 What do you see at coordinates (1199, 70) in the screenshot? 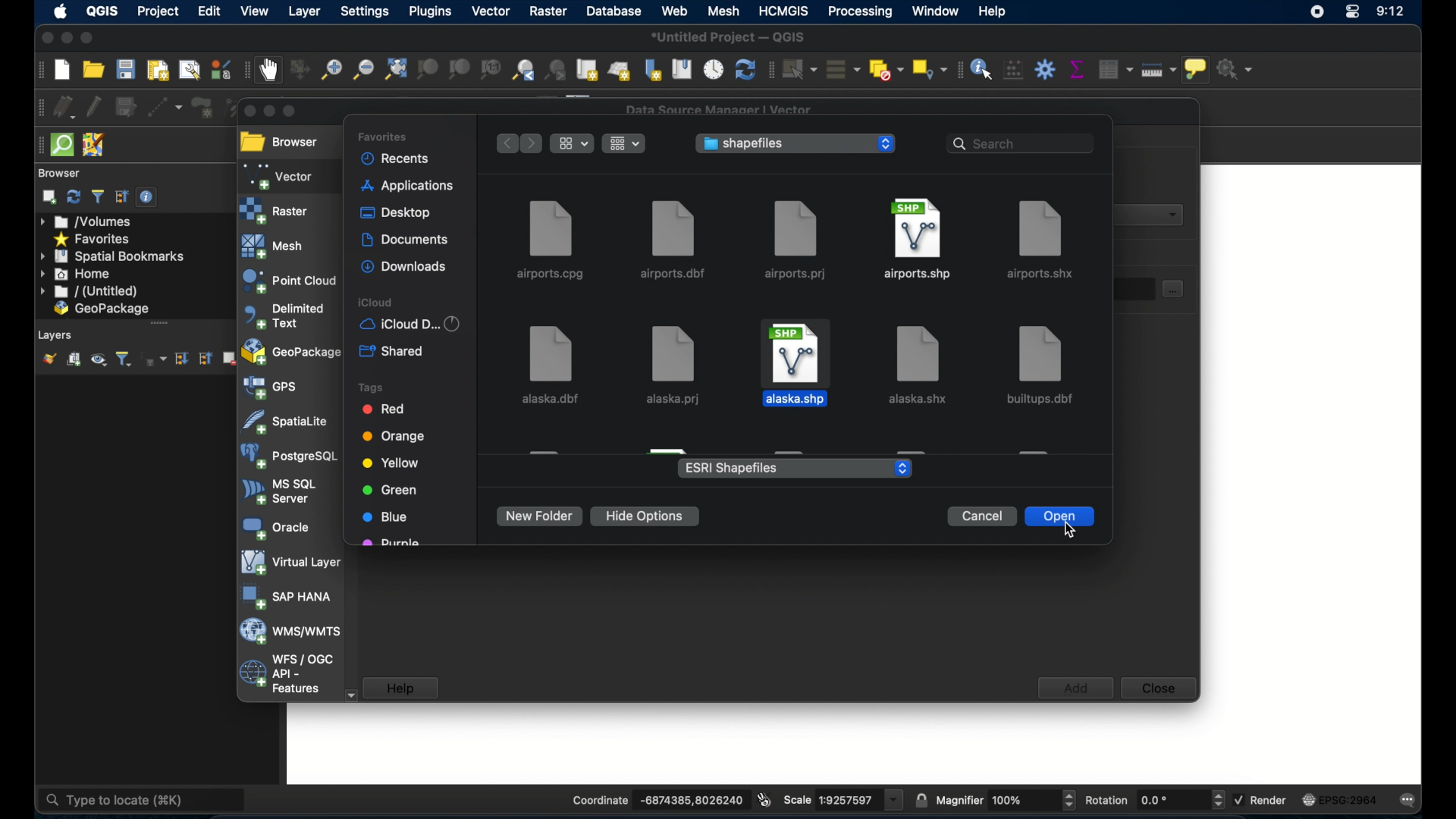
I see `show map tops` at bounding box center [1199, 70].